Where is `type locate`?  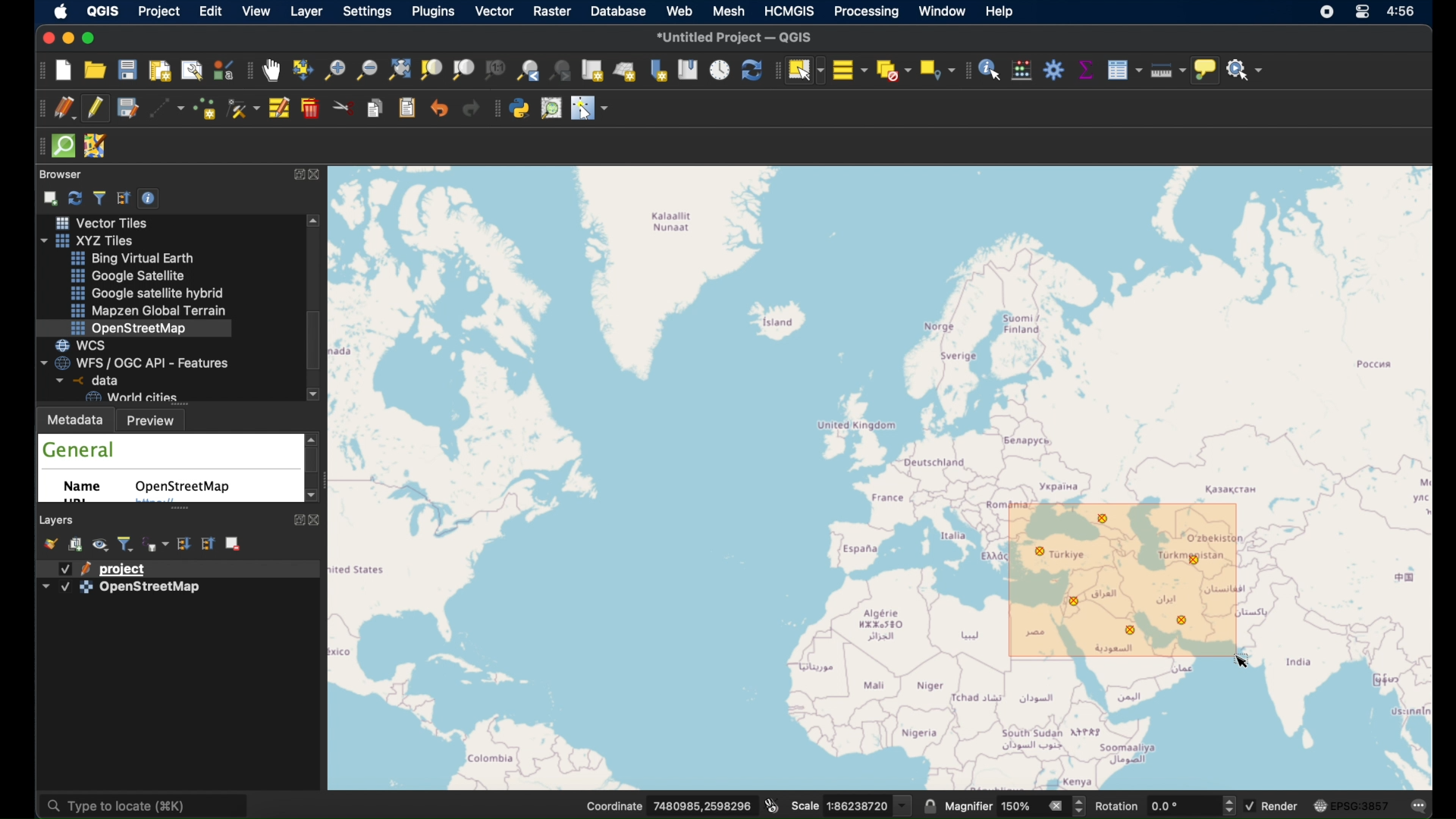 type locate is located at coordinates (149, 806).